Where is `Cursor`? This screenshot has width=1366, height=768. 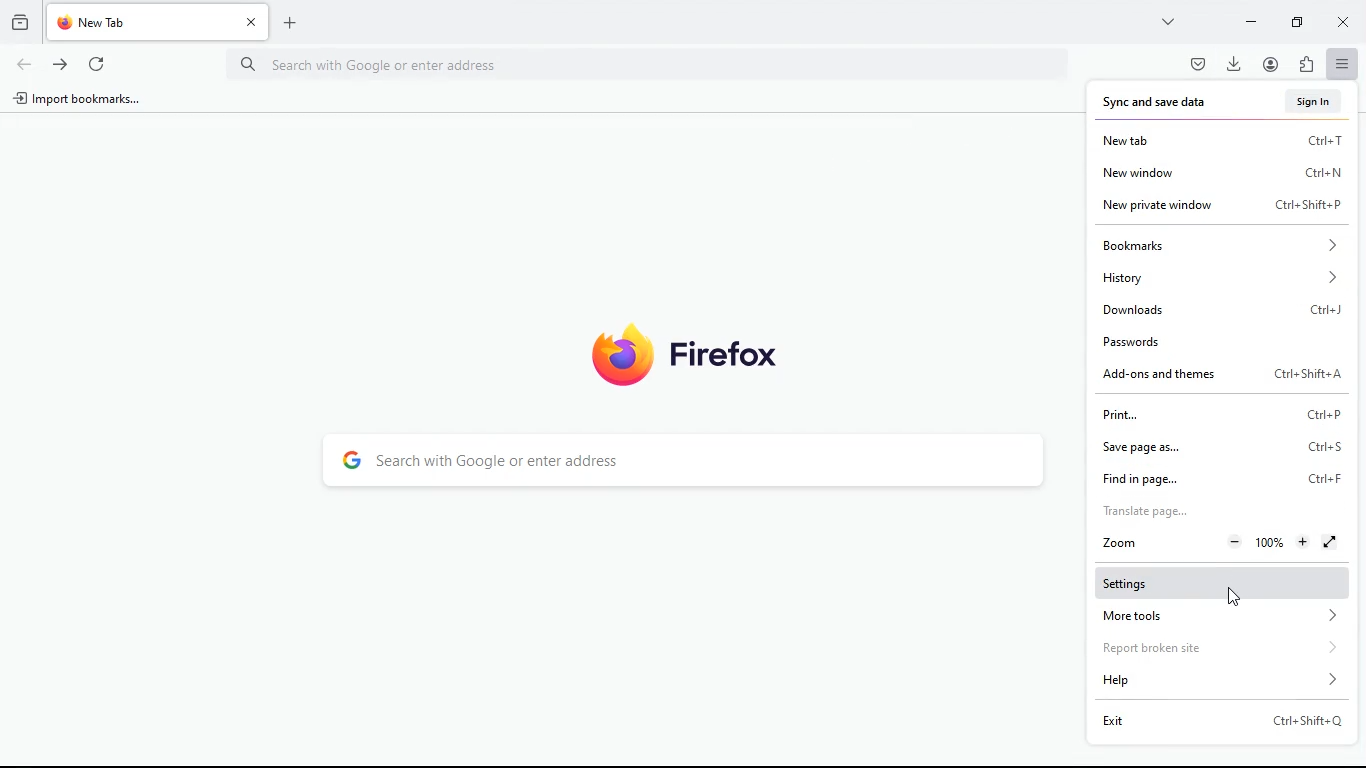 Cursor is located at coordinates (1234, 597).